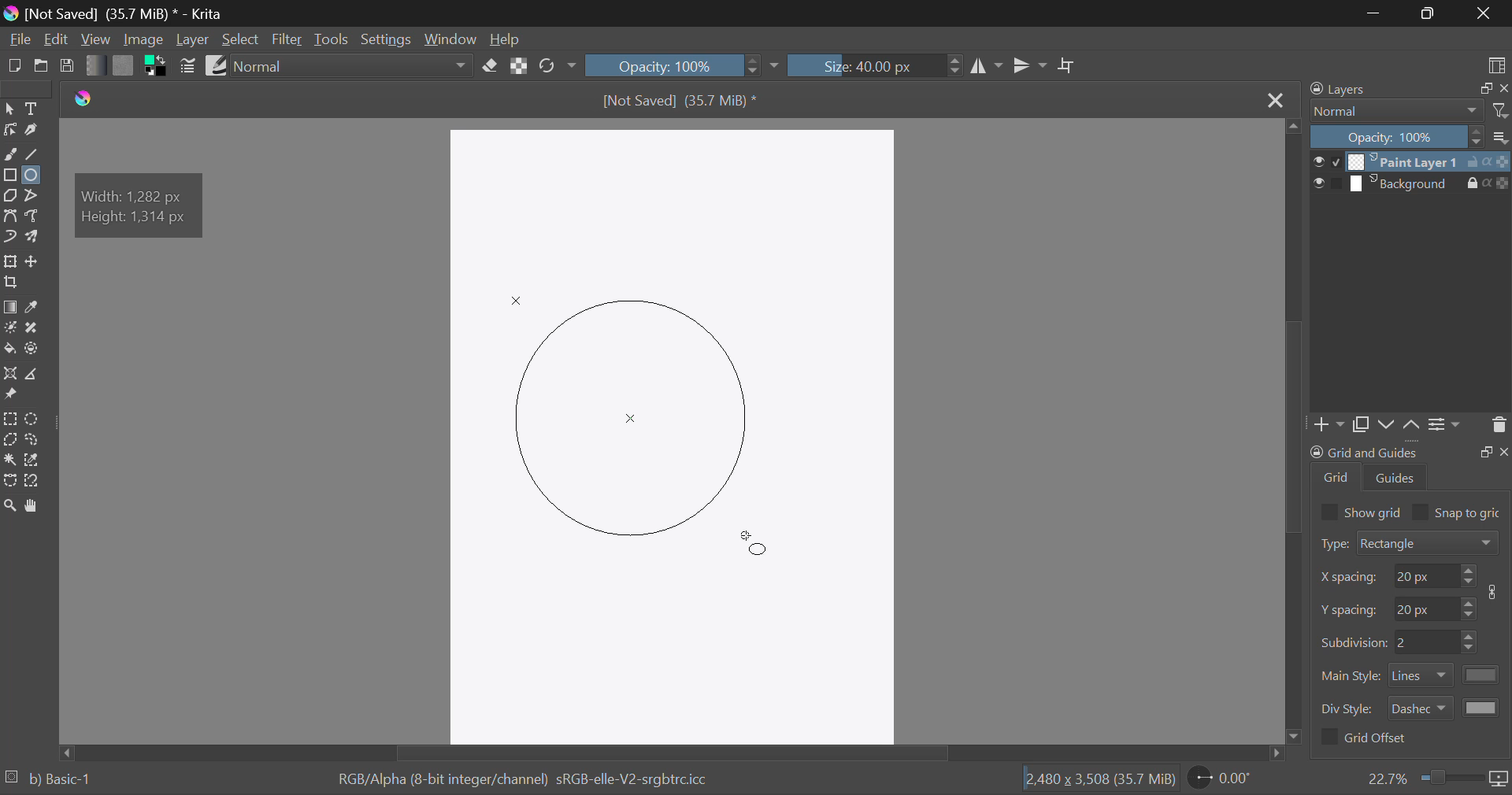  Describe the element at coordinates (9, 462) in the screenshot. I see `Continuous Selection` at that location.